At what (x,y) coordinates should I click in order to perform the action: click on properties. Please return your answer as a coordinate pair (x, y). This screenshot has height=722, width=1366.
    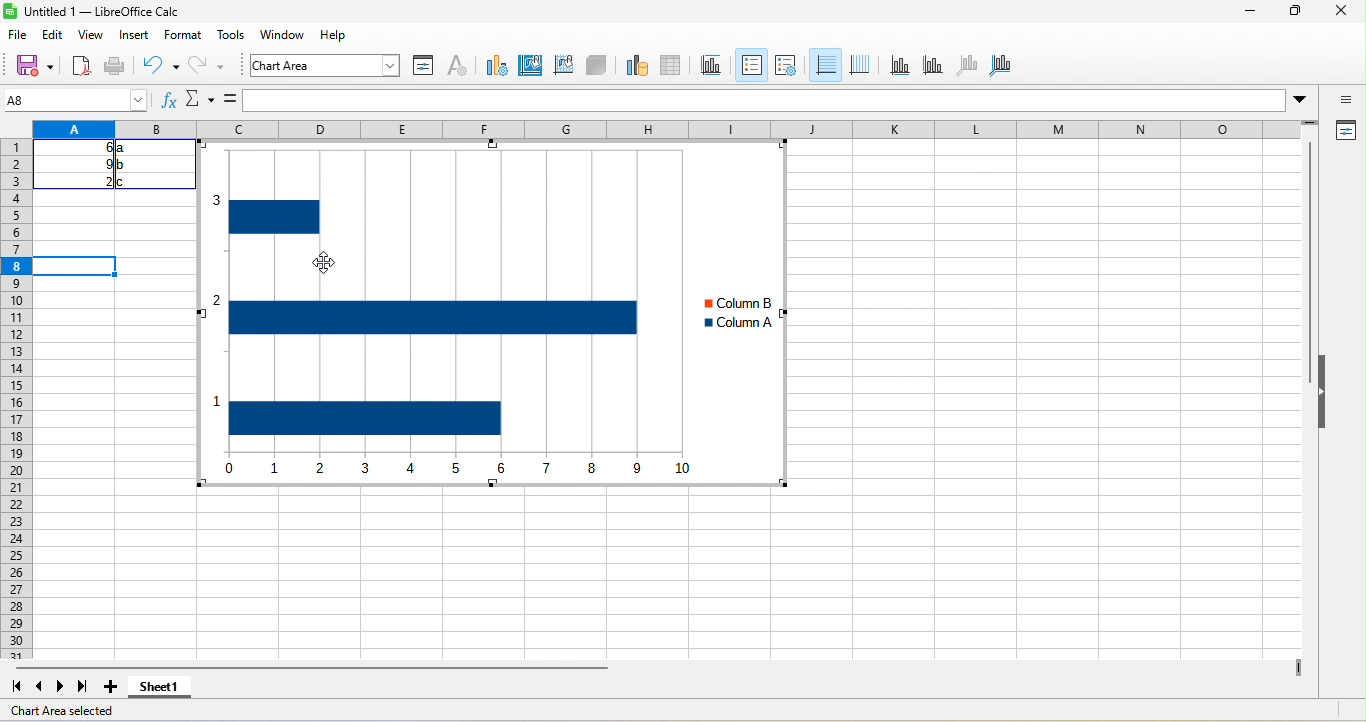
    Looking at the image, I should click on (1347, 130).